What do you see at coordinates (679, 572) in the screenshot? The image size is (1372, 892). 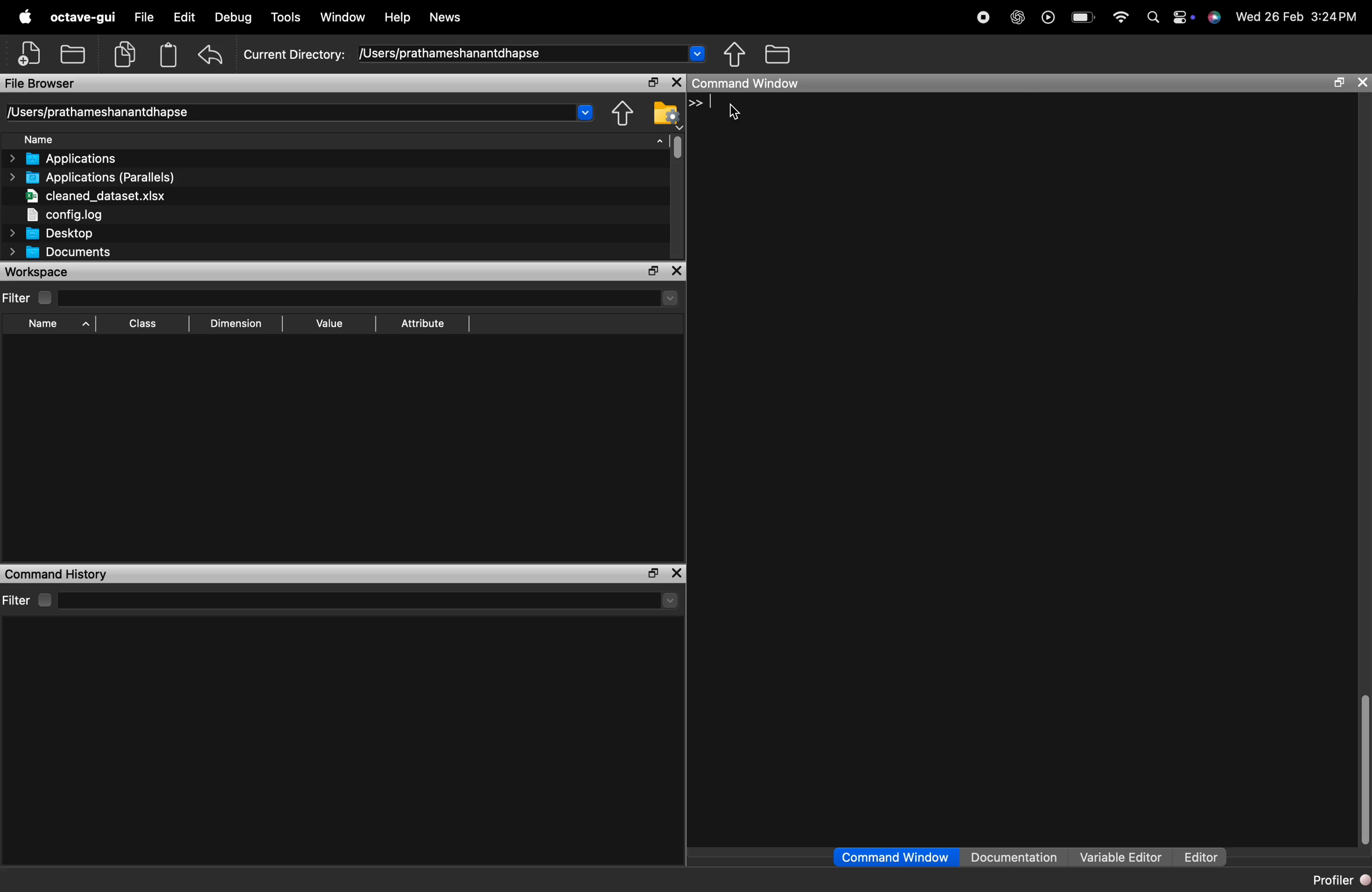 I see `Close` at bounding box center [679, 572].